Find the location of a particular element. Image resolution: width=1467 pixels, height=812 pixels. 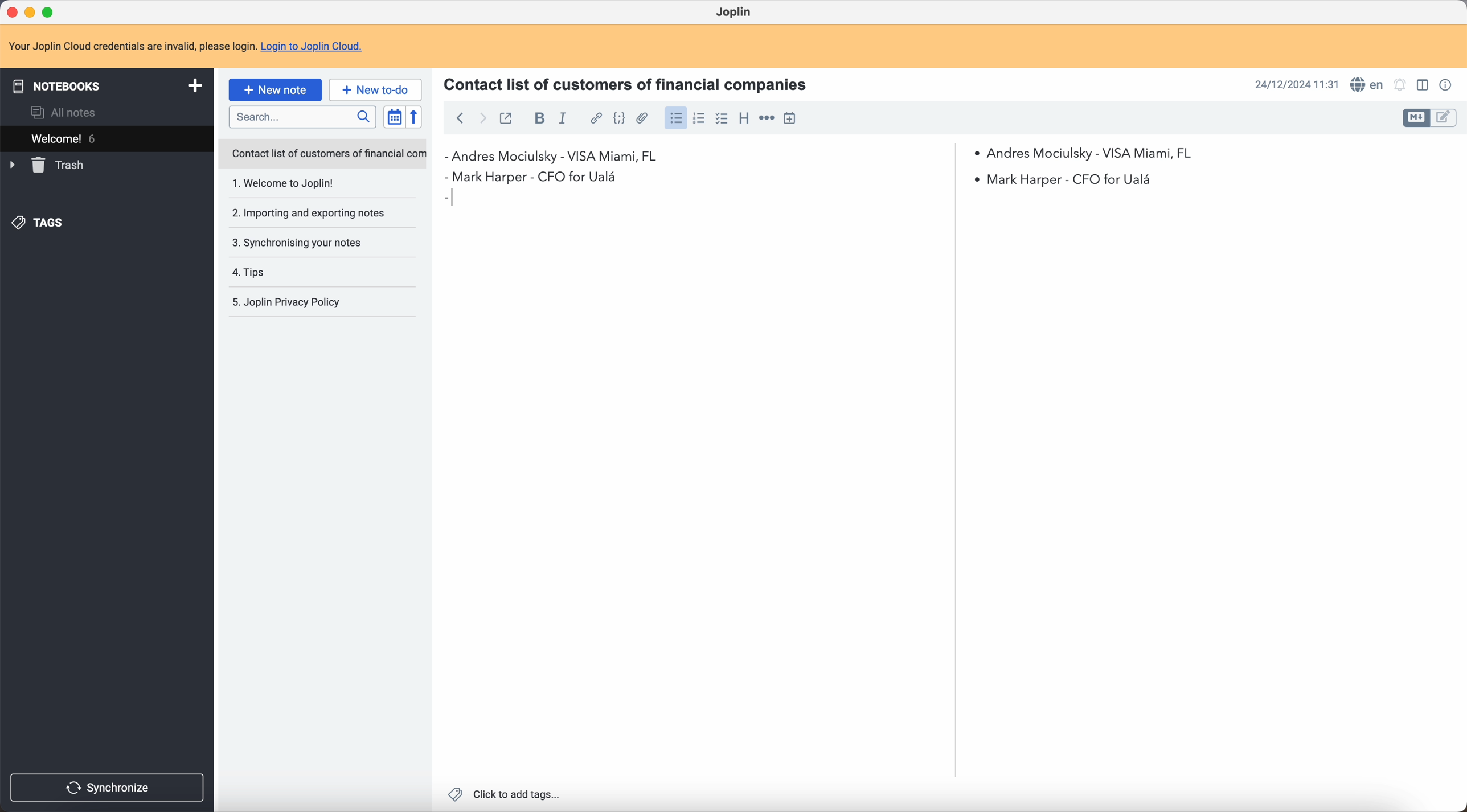

bold is located at coordinates (538, 118).